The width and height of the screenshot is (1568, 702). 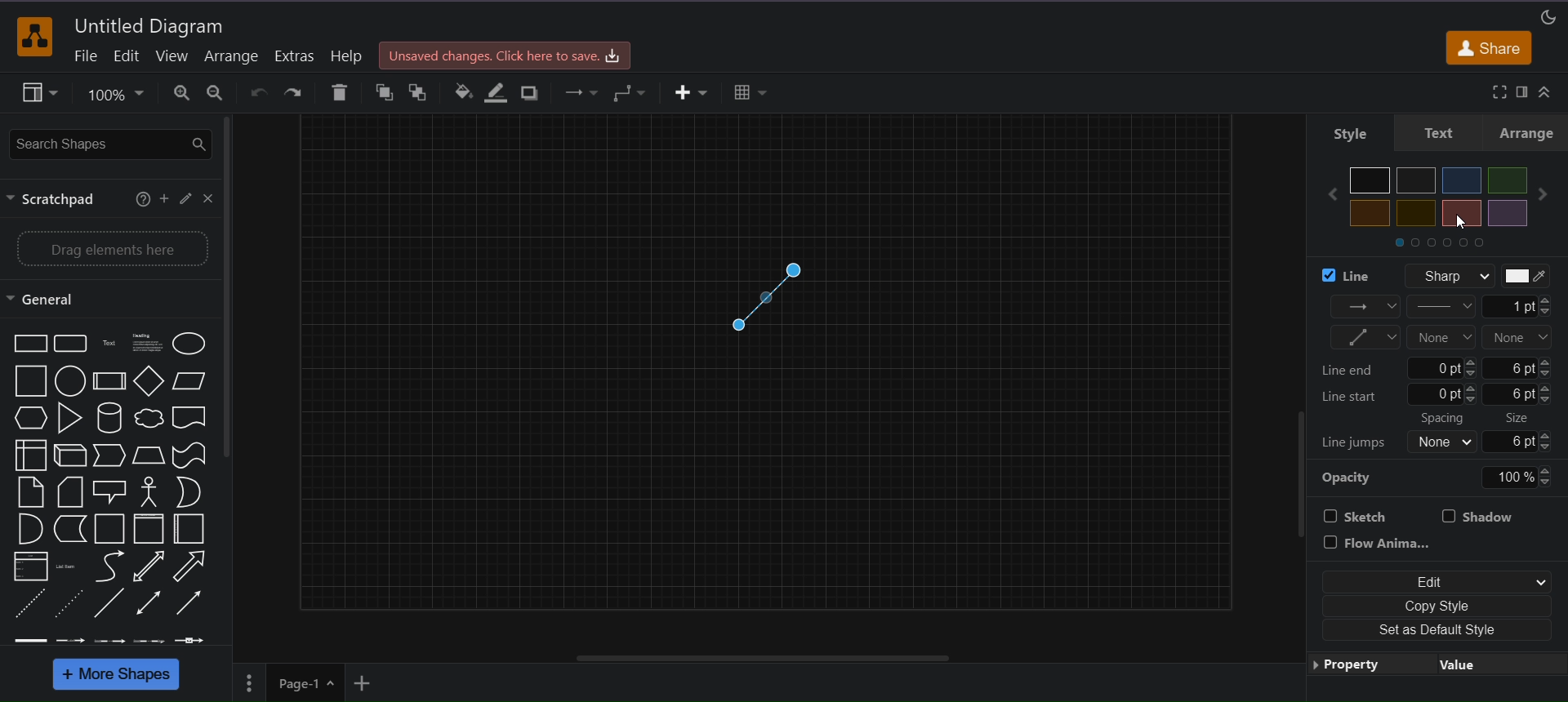 What do you see at coordinates (1362, 515) in the screenshot?
I see `sketch` at bounding box center [1362, 515].